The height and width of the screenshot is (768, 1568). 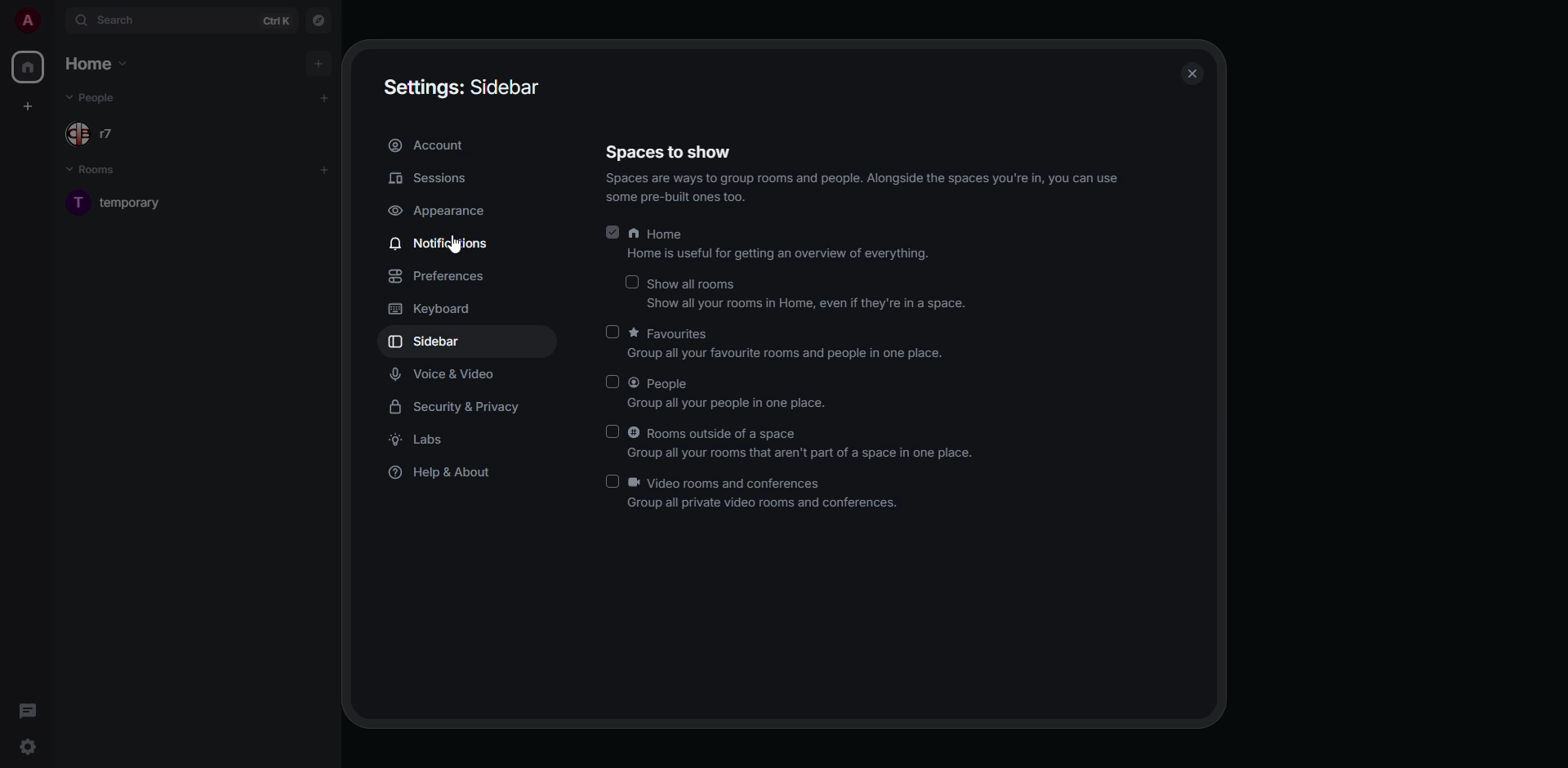 I want to click on home, so click(x=29, y=67).